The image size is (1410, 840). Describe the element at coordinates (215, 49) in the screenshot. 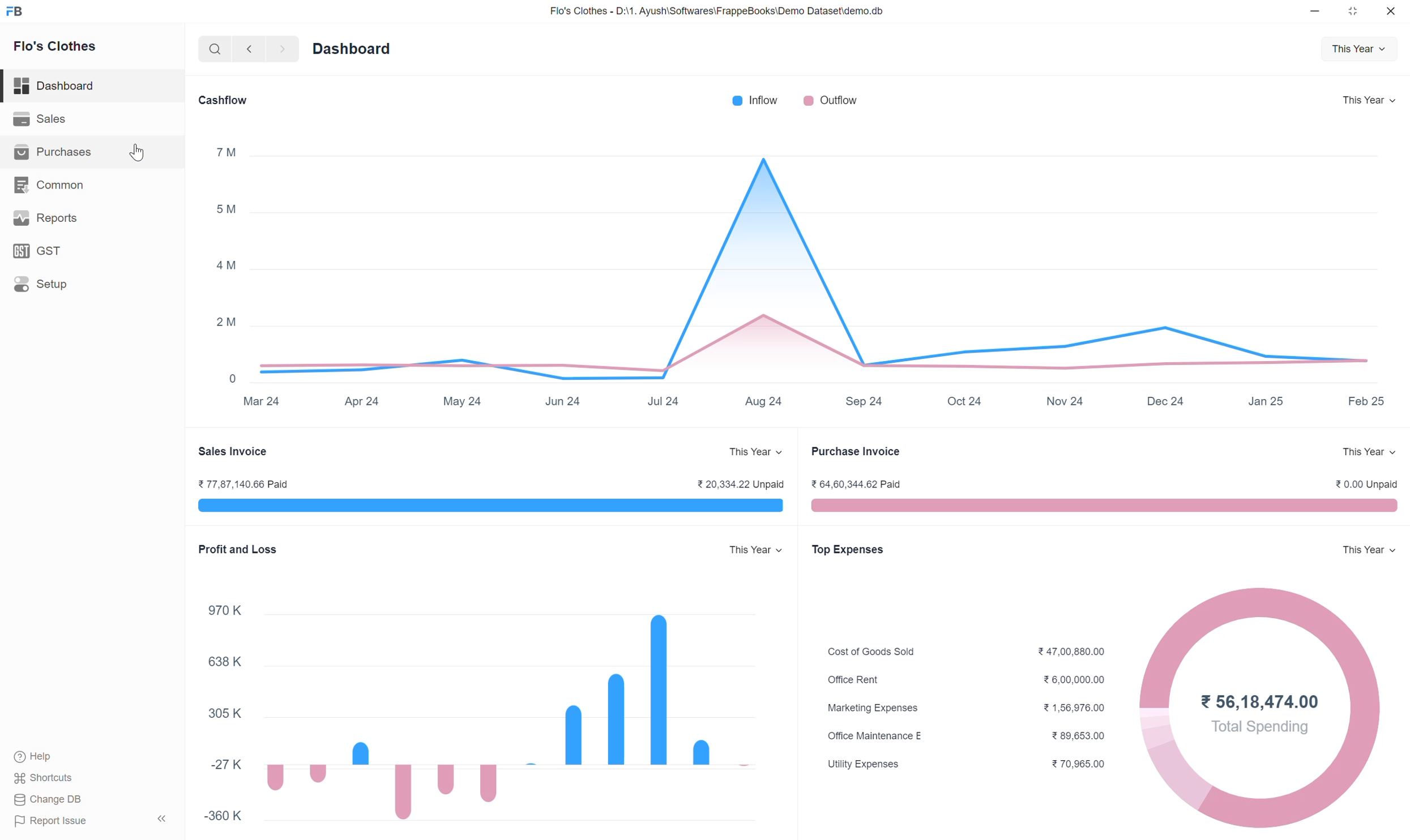

I see `Search` at that location.